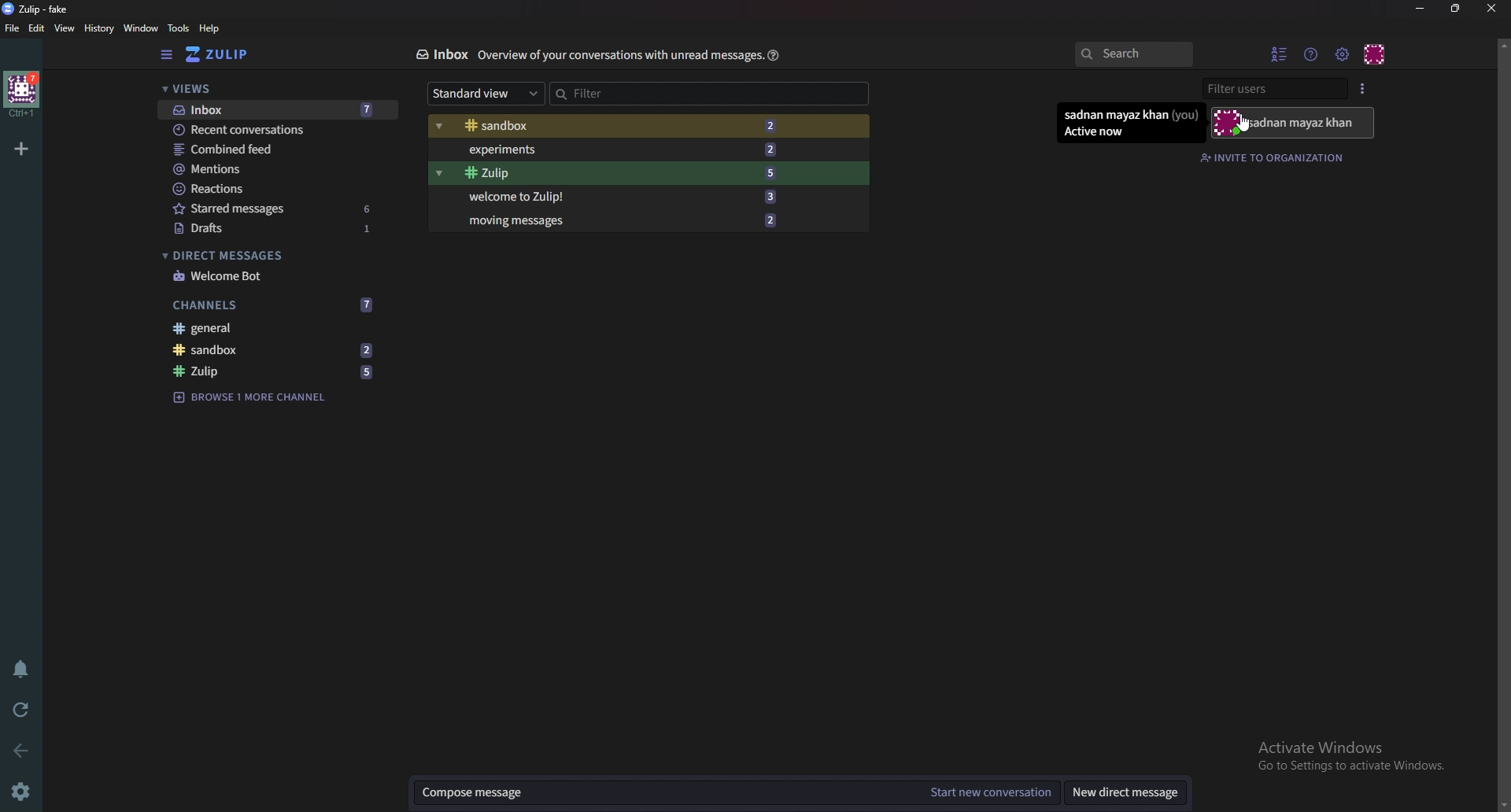 This screenshot has height=812, width=1511. Describe the element at coordinates (168, 56) in the screenshot. I see `Hide sidebar` at that location.